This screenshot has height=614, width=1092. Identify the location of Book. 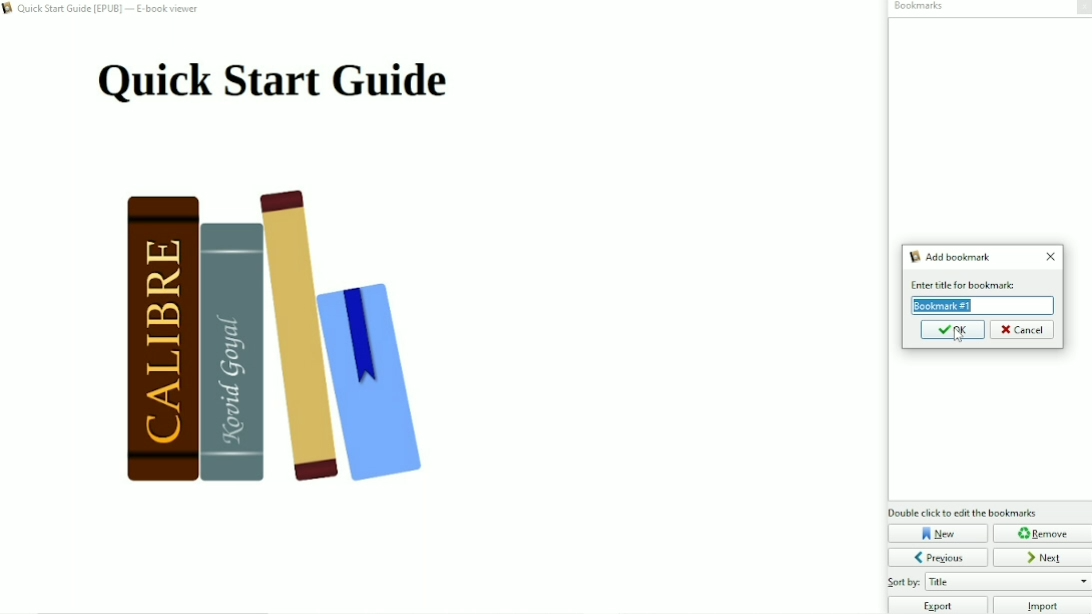
(291, 343).